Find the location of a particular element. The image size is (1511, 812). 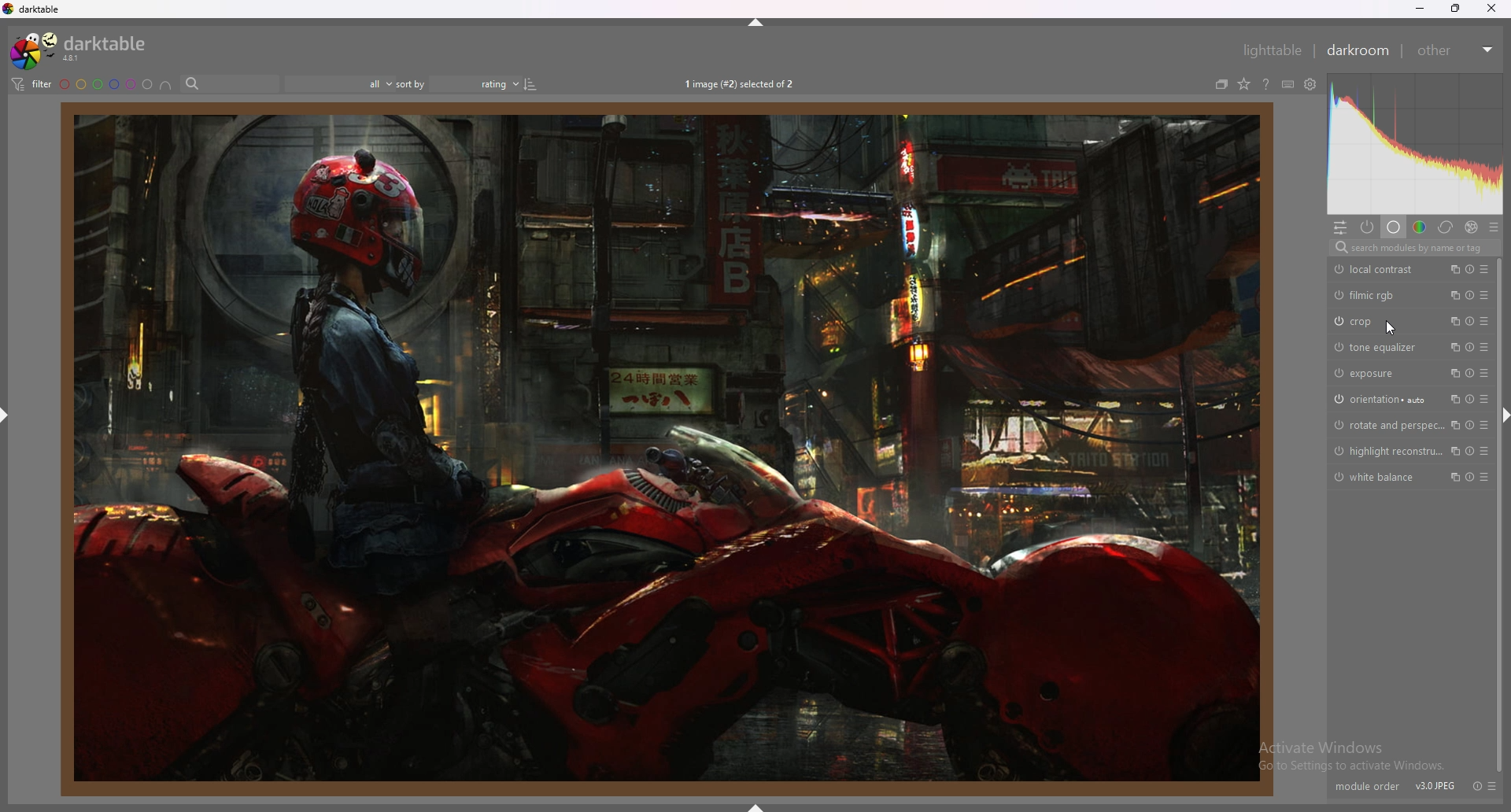

1 image (#2) selected of 2 is located at coordinates (741, 83).